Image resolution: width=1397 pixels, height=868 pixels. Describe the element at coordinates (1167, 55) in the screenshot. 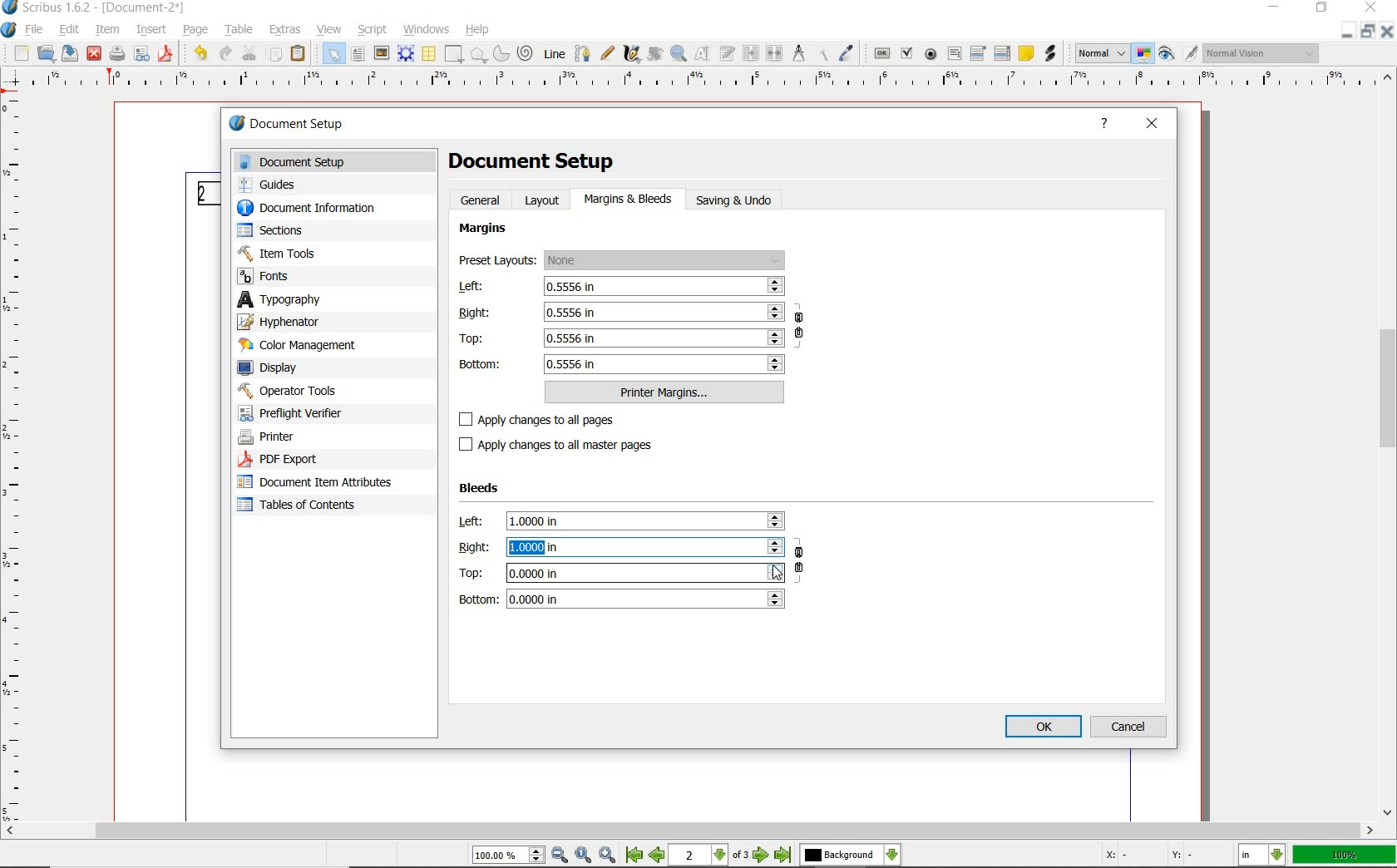

I see `preview mode` at that location.